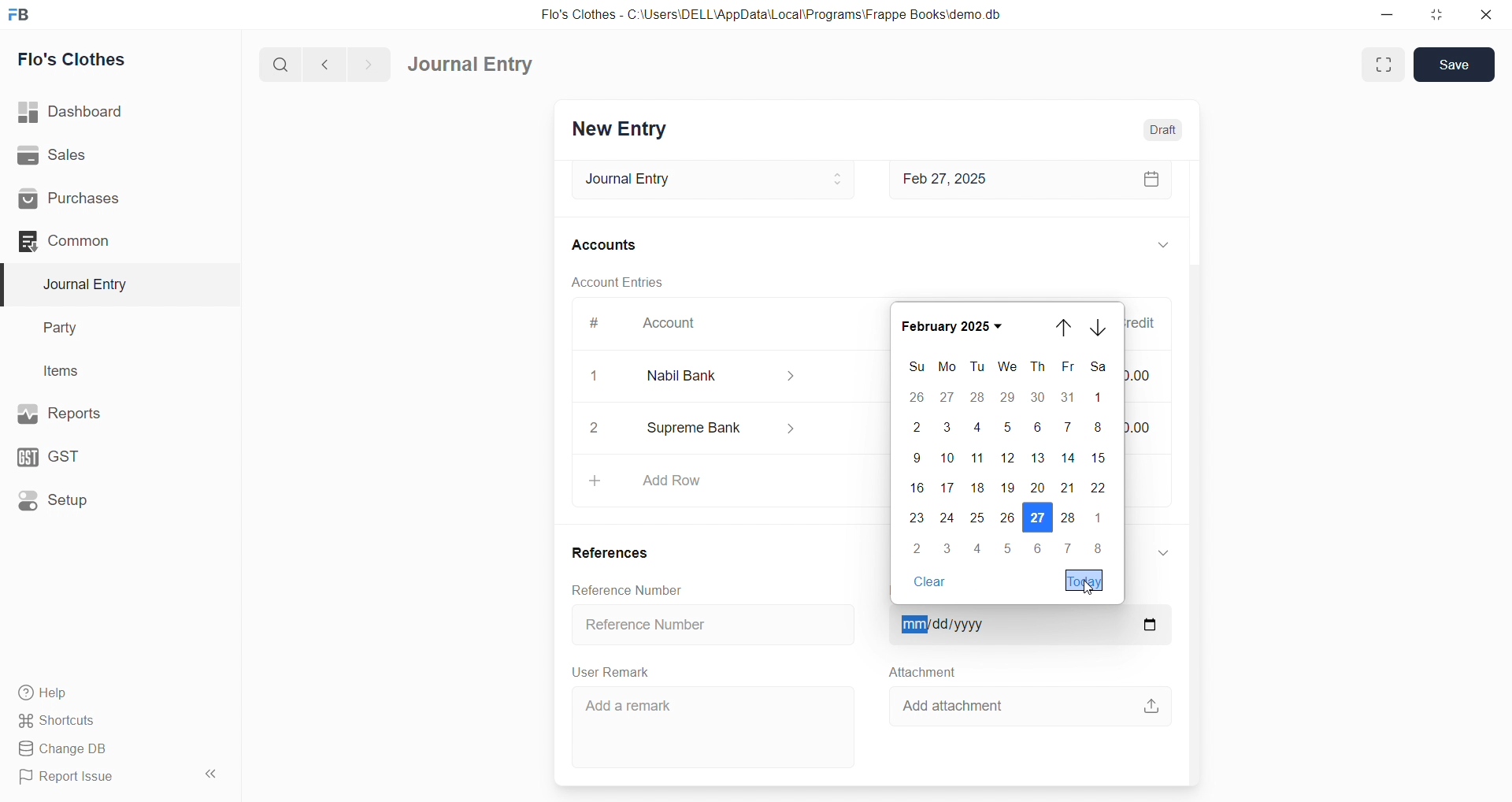 The height and width of the screenshot is (802, 1512). I want to click on 26, so click(1006, 518).